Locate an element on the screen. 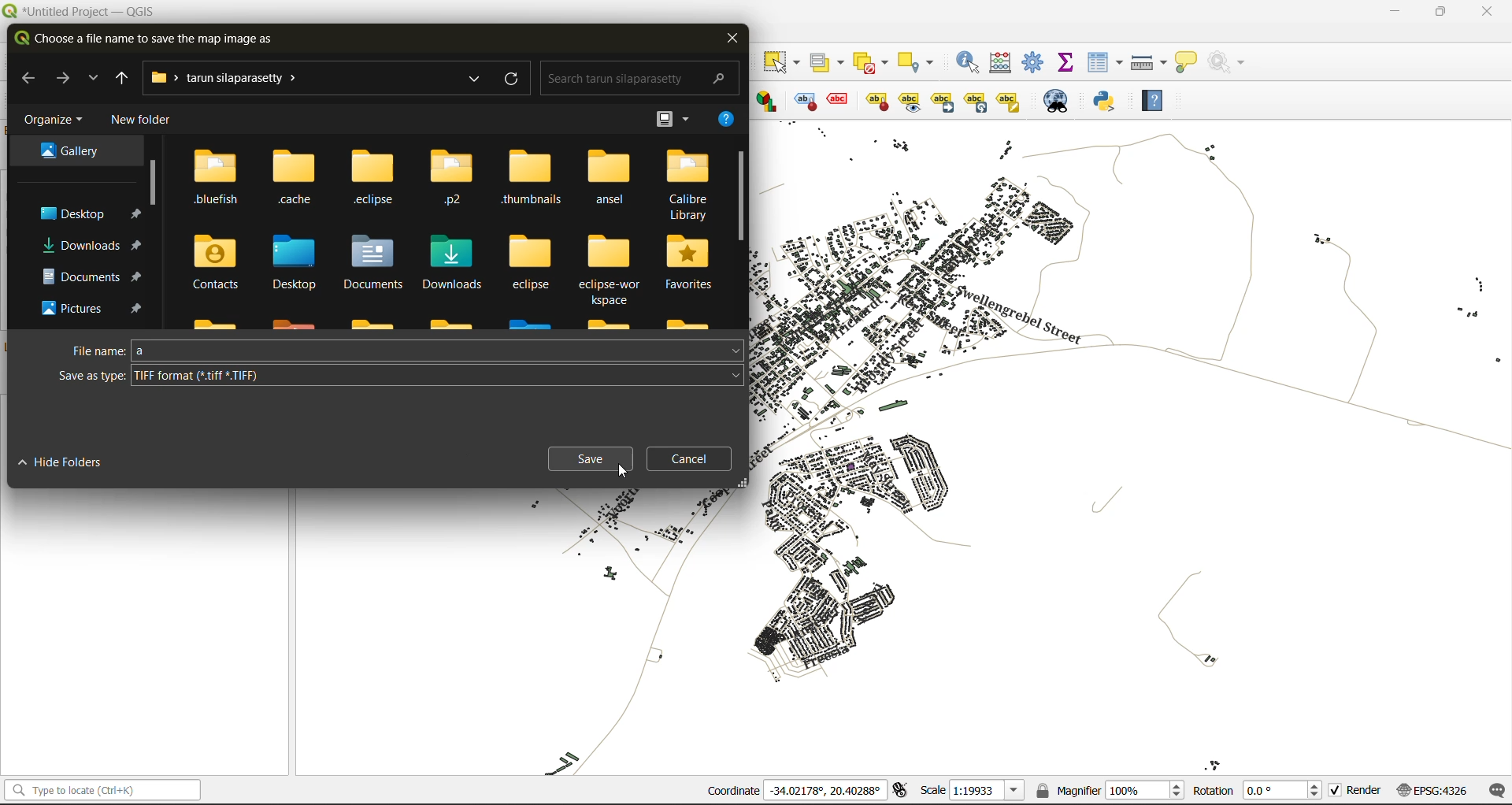  python is located at coordinates (1111, 102).